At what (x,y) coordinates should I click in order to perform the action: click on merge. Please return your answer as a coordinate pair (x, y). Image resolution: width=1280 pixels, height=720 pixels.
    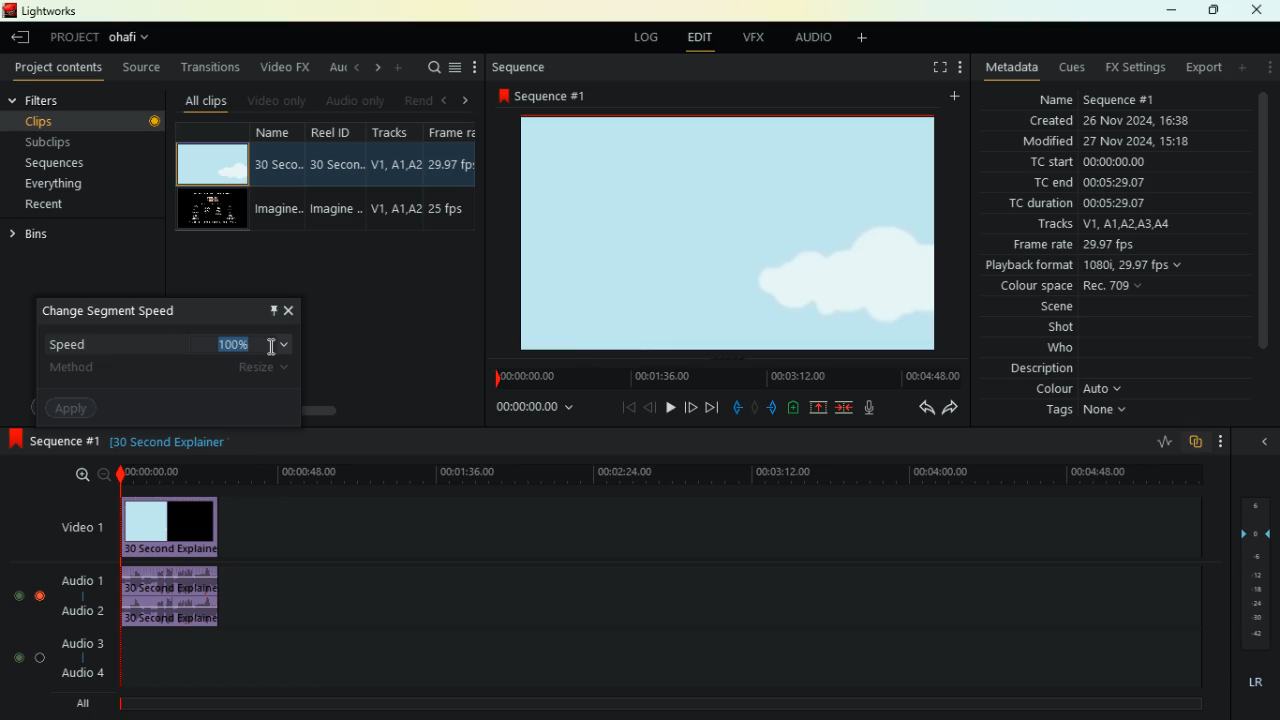
    Looking at the image, I should click on (845, 408).